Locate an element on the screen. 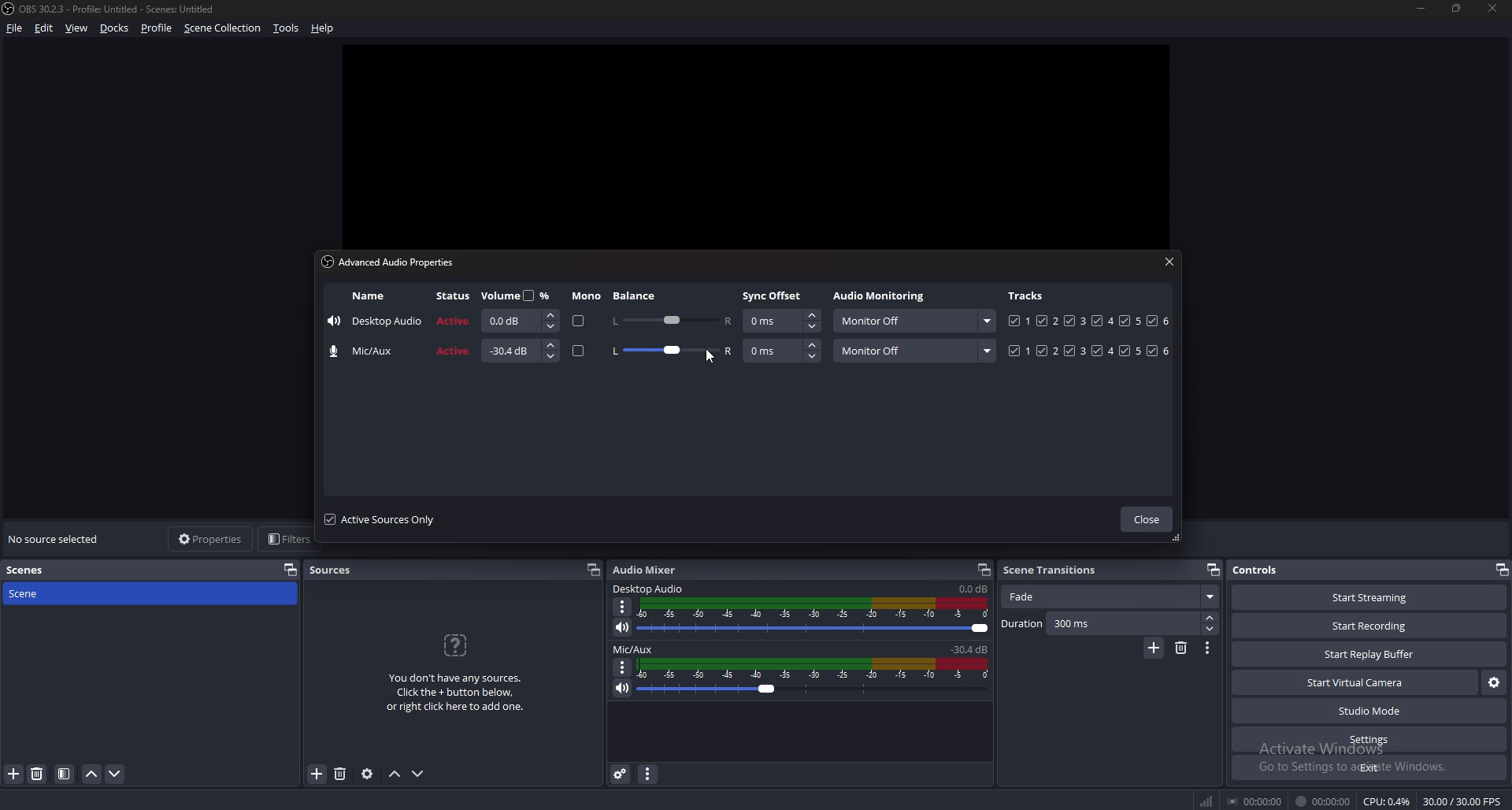 This screenshot has width=1512, height=810. status is located at coordinates (454, 322).